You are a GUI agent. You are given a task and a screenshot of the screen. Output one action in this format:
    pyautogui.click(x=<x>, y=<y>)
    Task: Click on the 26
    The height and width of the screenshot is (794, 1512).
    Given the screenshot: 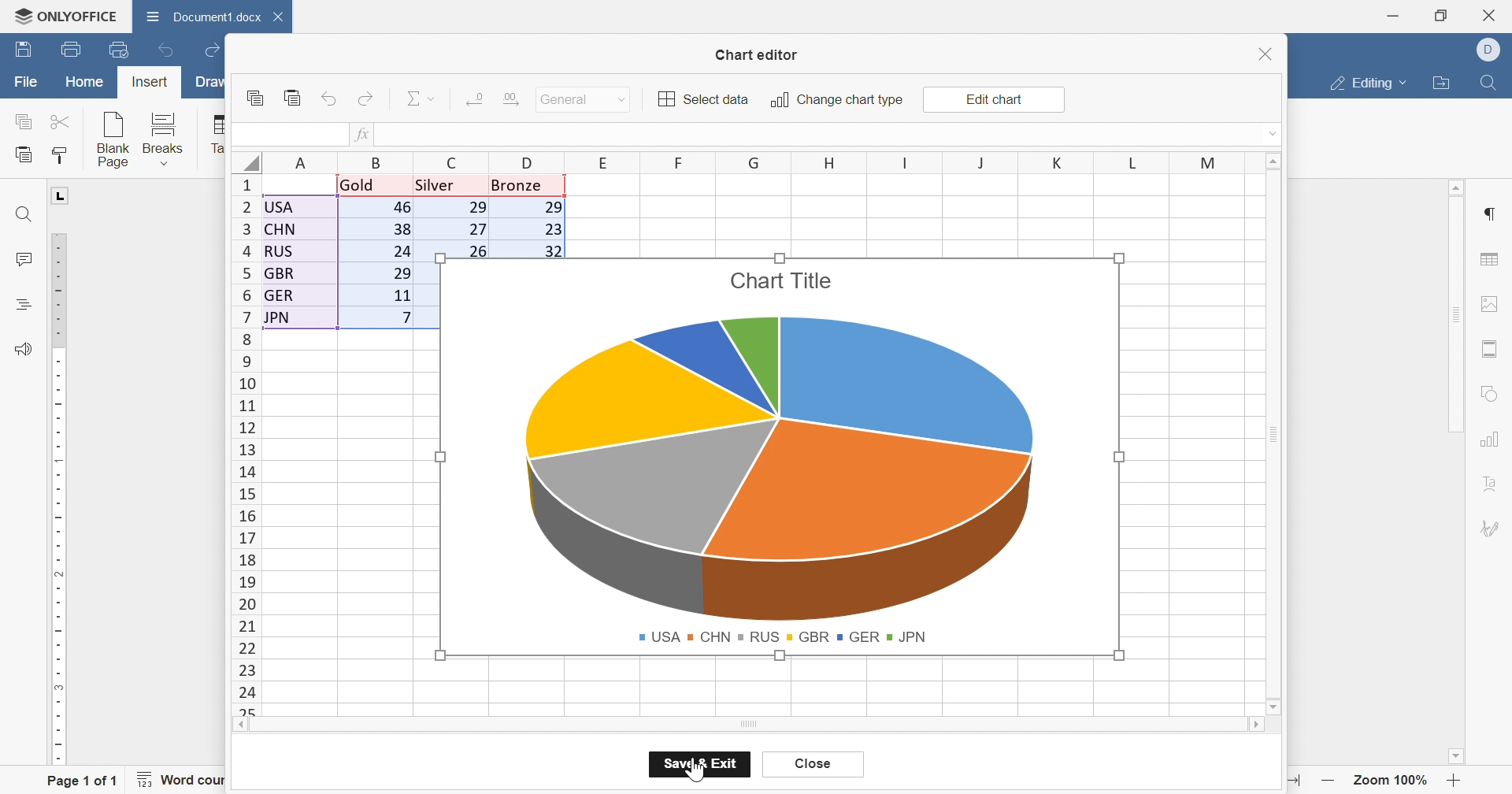 What is the action you would take?
    pyautogui.click(x=478, y=250)
    